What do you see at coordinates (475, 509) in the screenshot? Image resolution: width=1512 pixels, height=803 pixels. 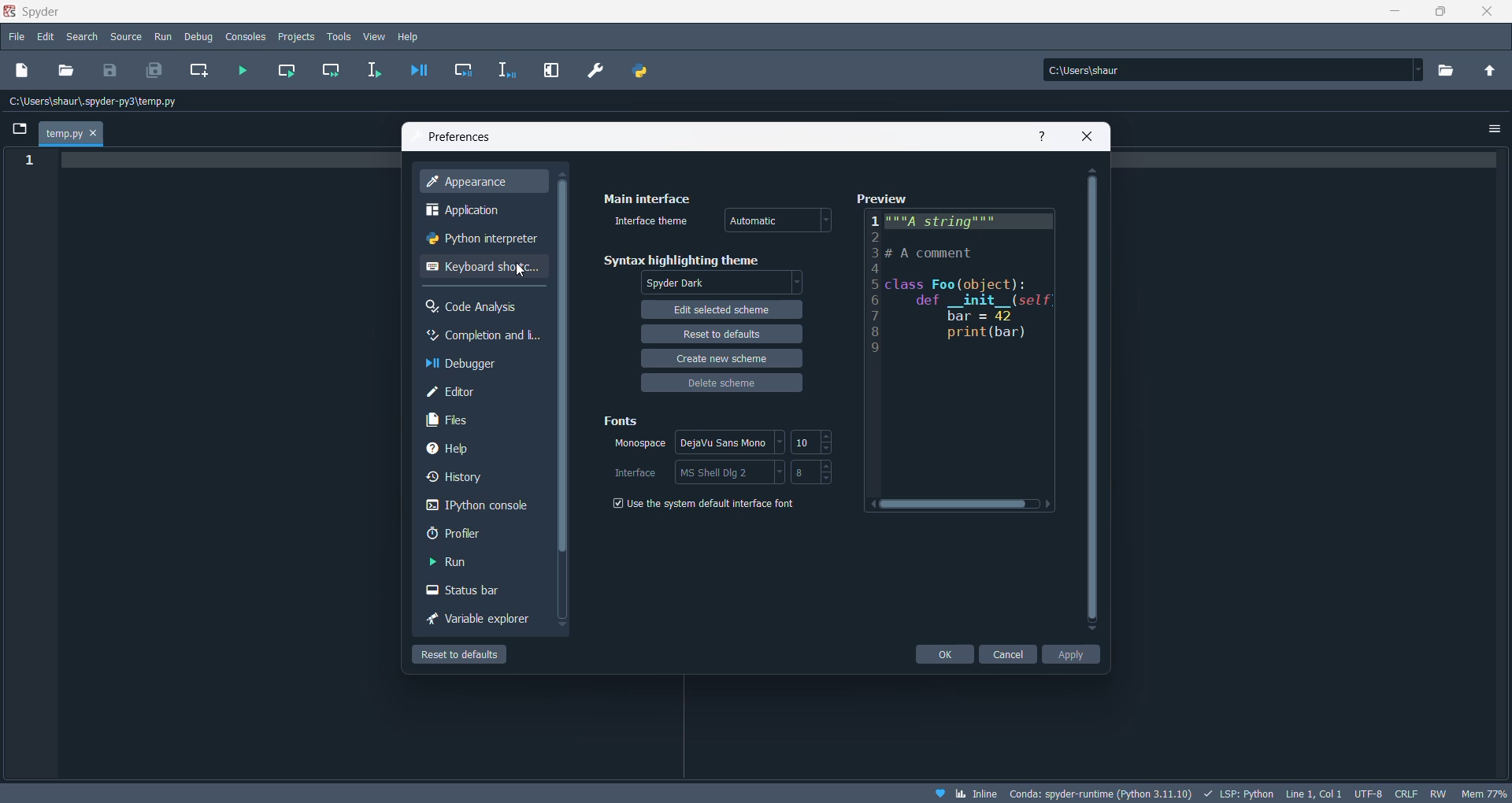 I see `ipython console` at bounding box center [475, 509].